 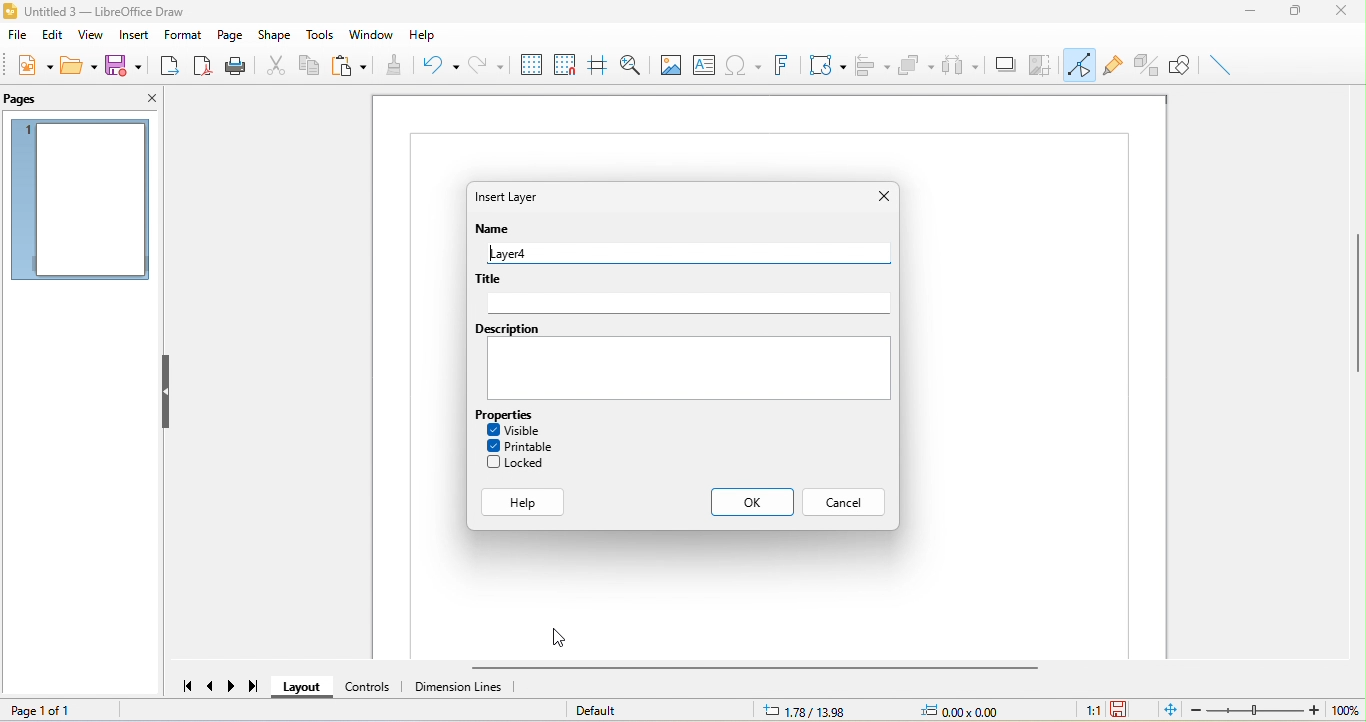 I want to click on view, so click(x=89, y=35).